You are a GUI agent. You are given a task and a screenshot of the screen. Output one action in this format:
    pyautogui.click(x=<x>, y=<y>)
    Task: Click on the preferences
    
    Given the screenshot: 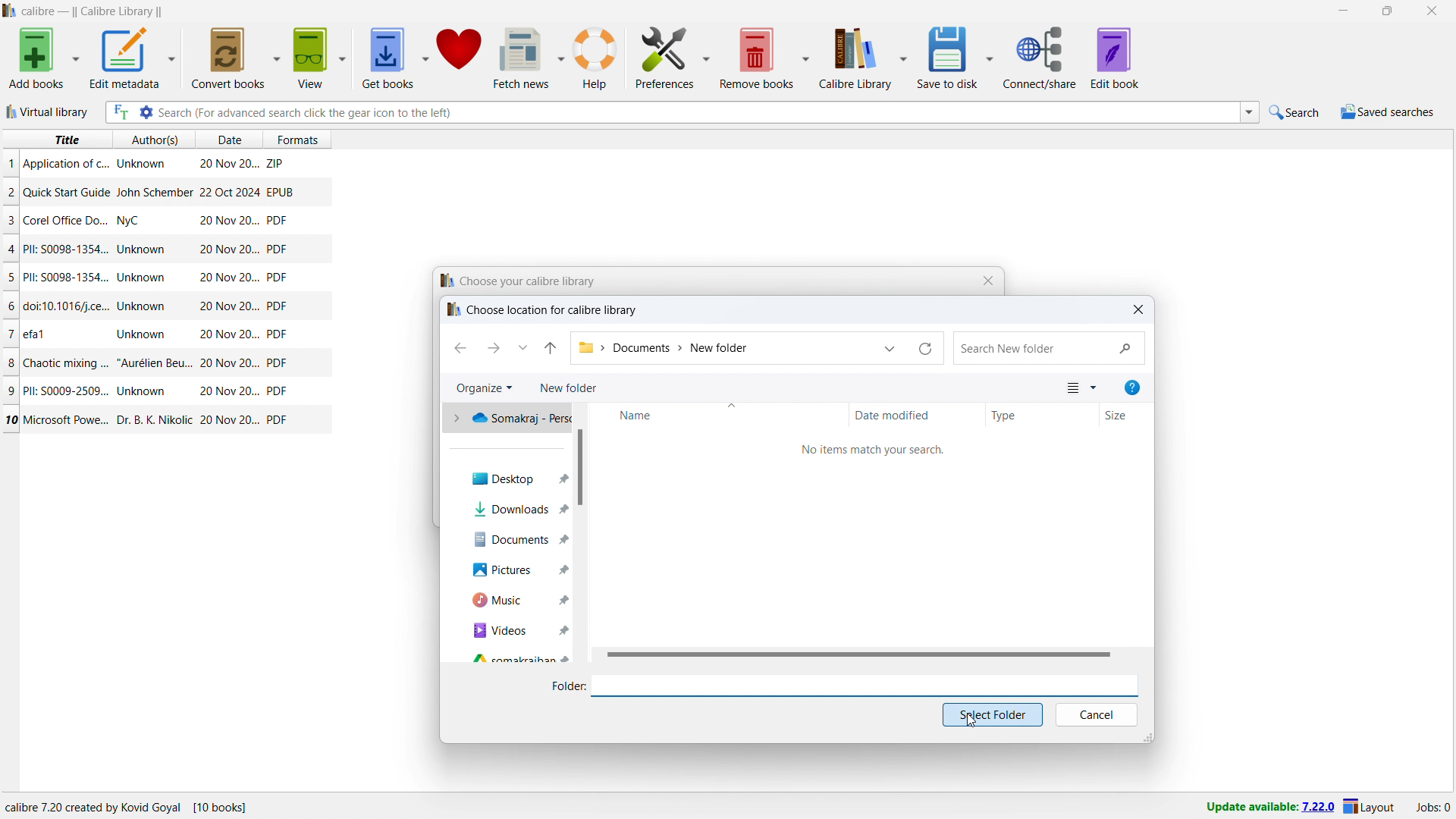 What is the action you would take?
    pyautogui.click(x=666, y=56)
    